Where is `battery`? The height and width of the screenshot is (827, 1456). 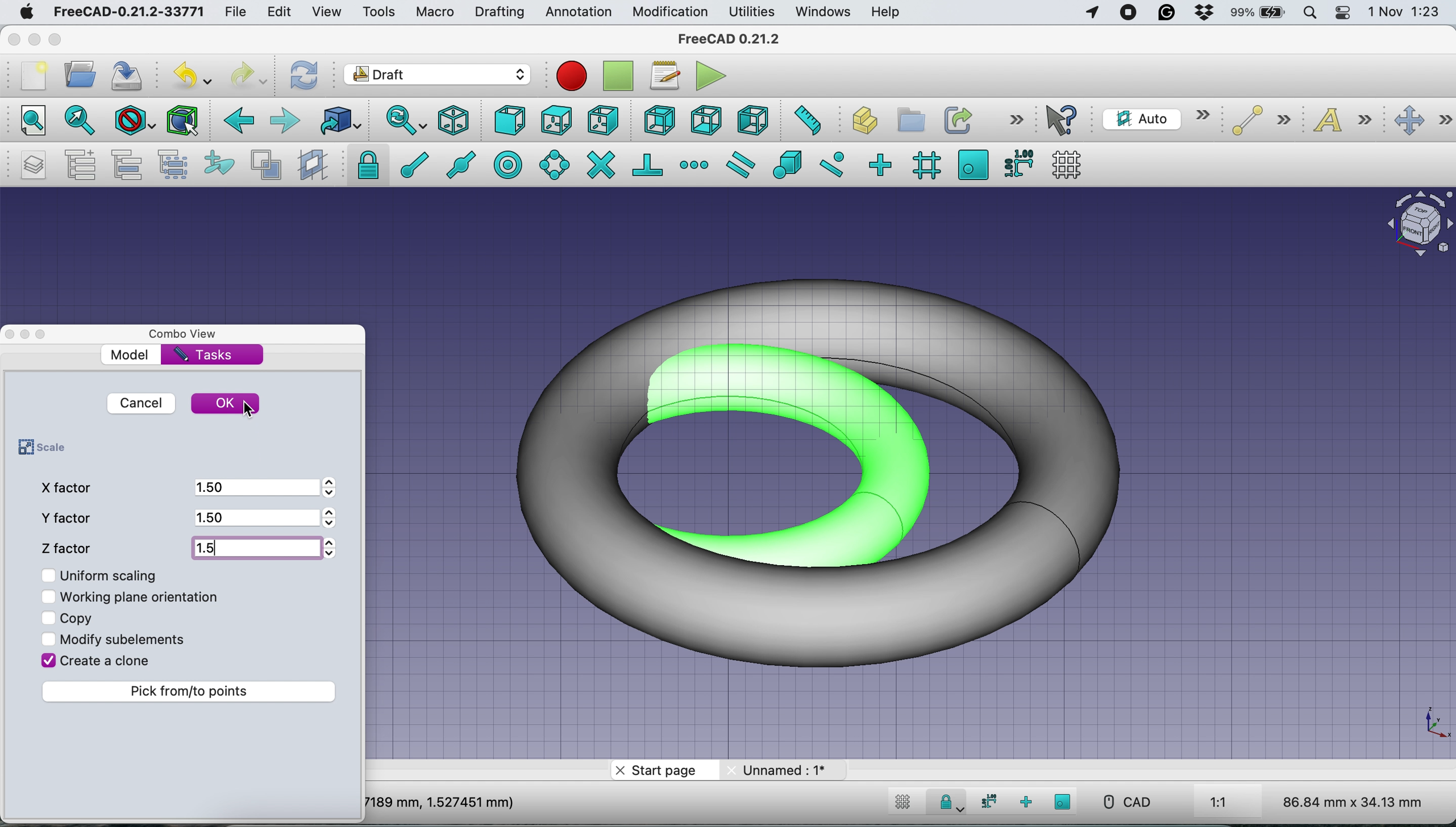
battery is located at coordinates (1259, 14).